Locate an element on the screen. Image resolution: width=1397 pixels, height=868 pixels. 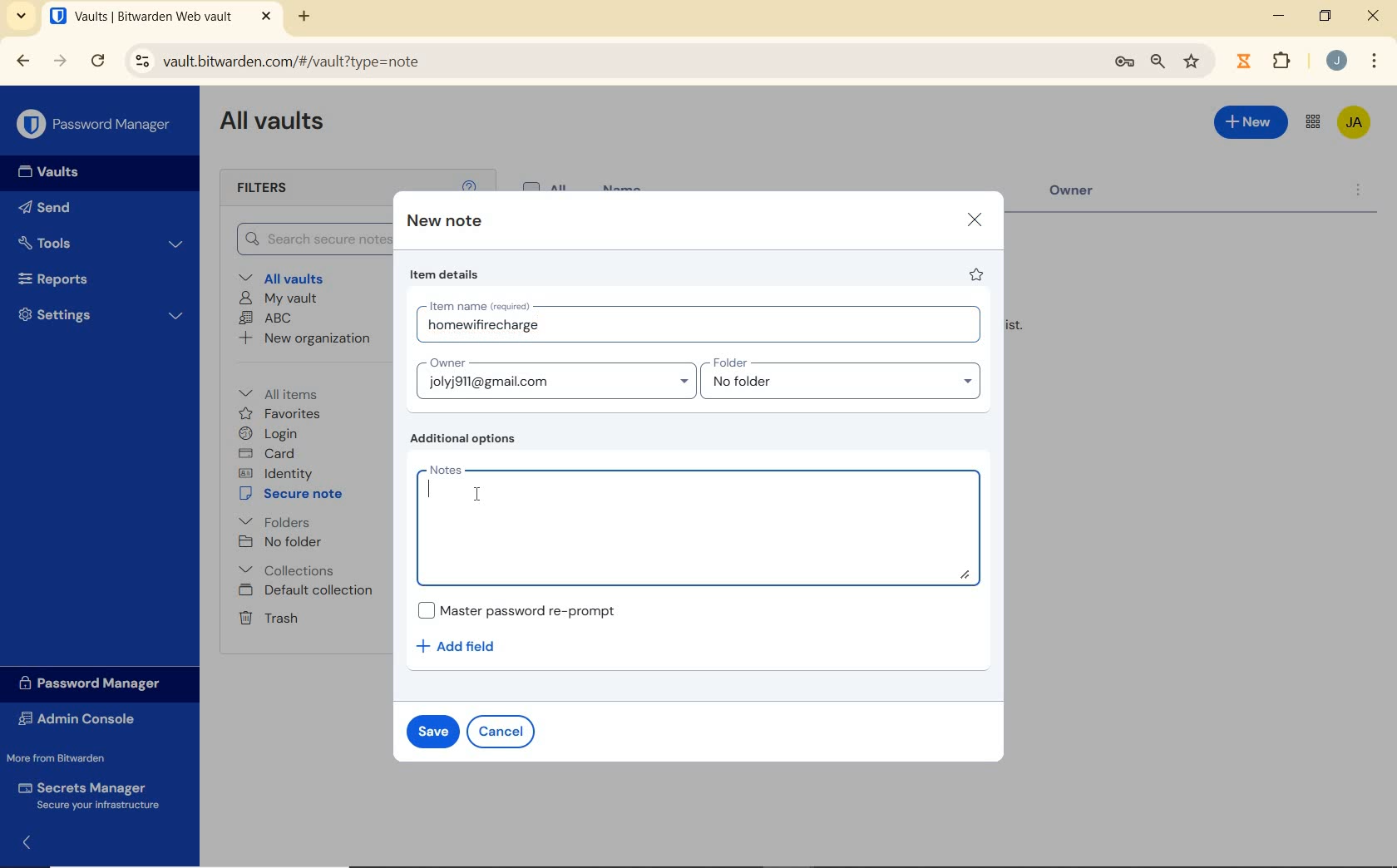
Master password re-prompt is located at coordinates (526, 609).